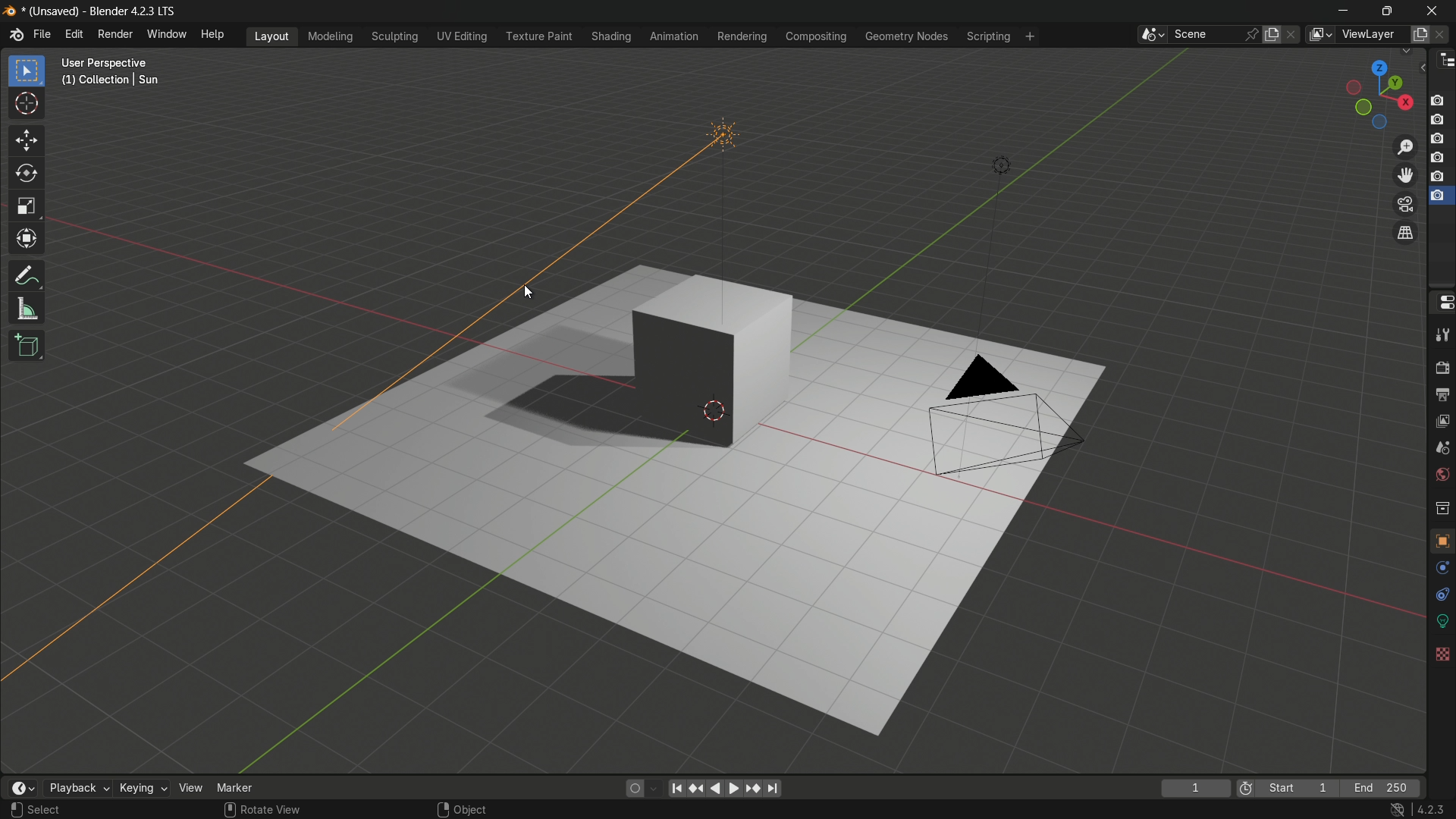 This screenshot has height=819, width=1456. I want to click on add workplace, so click(1031, 36).